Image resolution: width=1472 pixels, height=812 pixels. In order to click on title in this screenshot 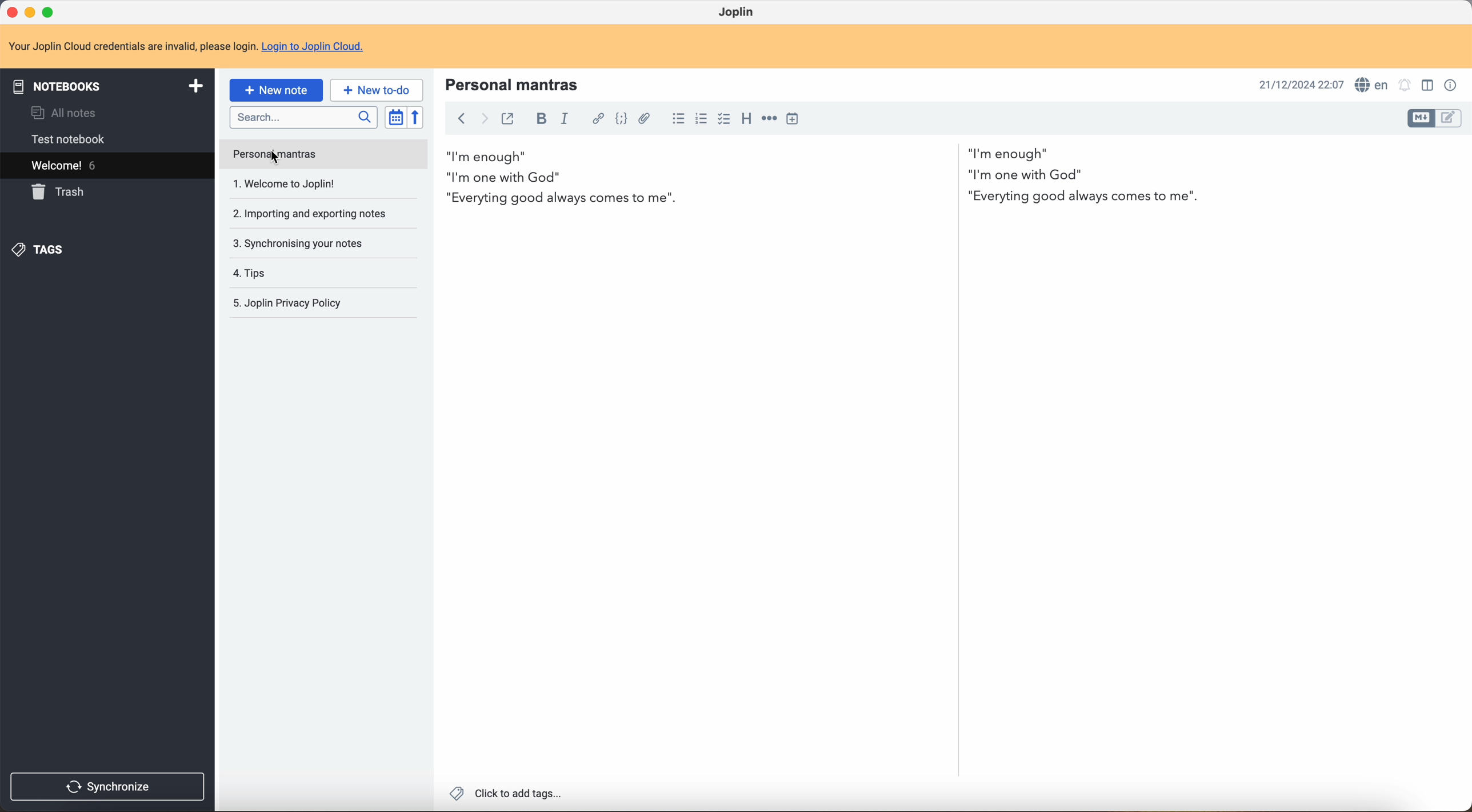, I will do `click(514, 83)`.